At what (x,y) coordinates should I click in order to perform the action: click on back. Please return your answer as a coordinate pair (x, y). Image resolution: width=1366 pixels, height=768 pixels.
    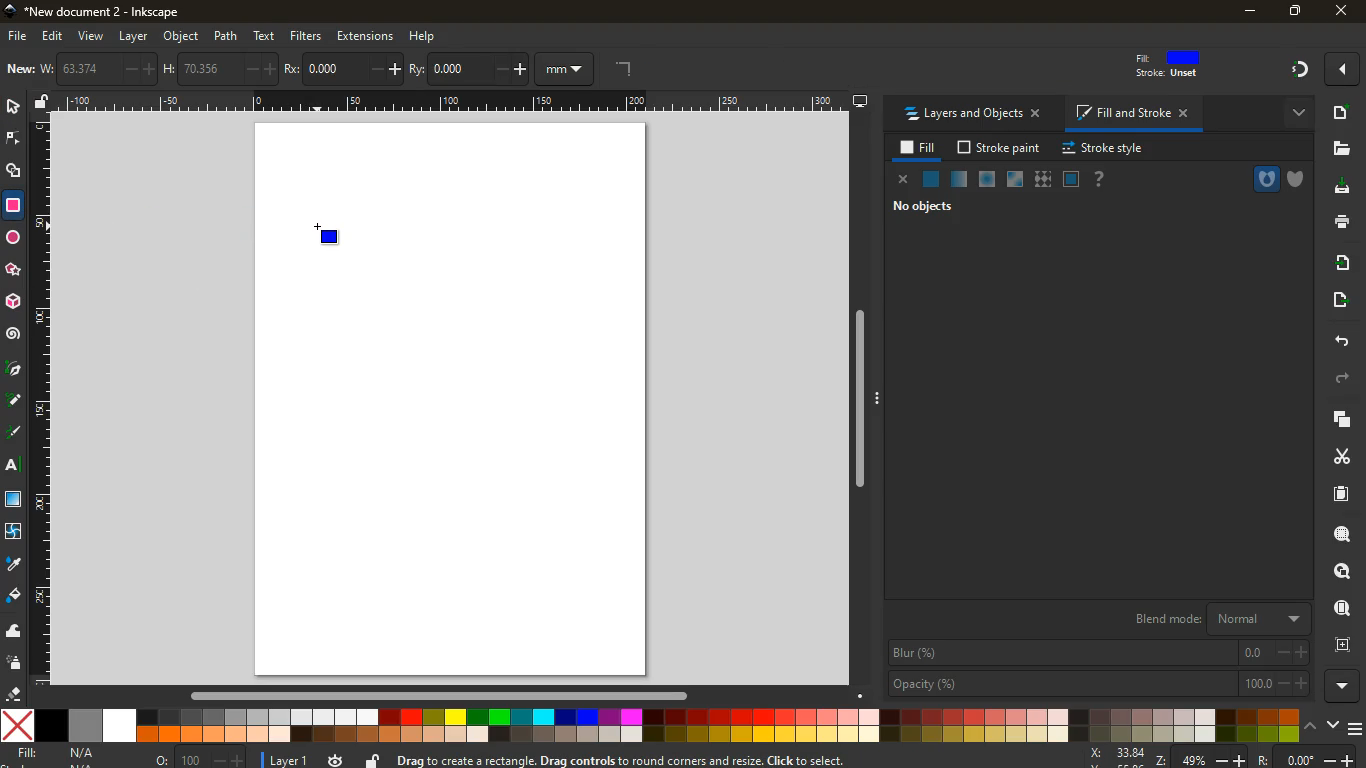
    Looking at the image, I should click on (1340, 338).